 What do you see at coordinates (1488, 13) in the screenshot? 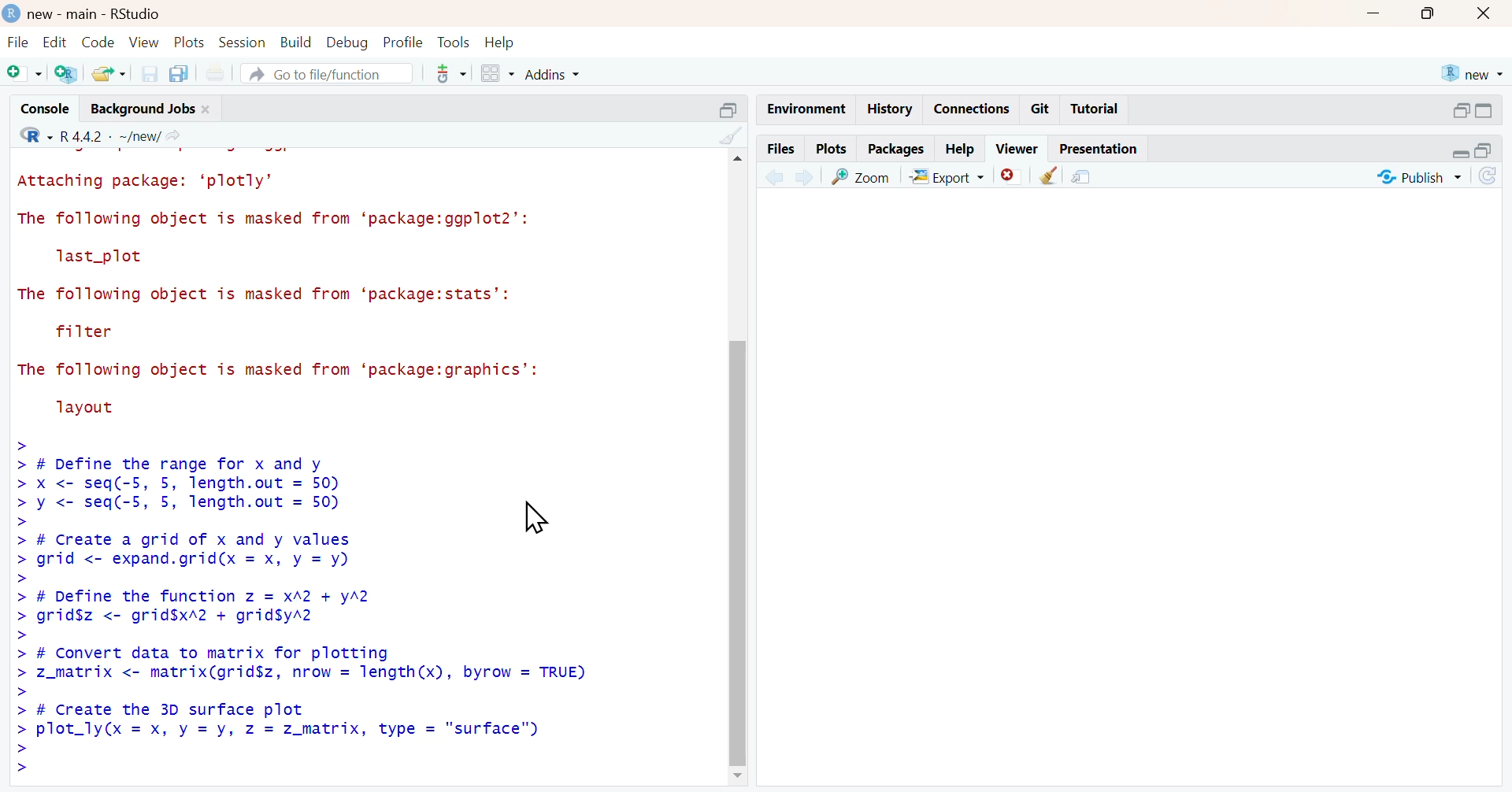
I see `close` at bounding box center [1488, 13].